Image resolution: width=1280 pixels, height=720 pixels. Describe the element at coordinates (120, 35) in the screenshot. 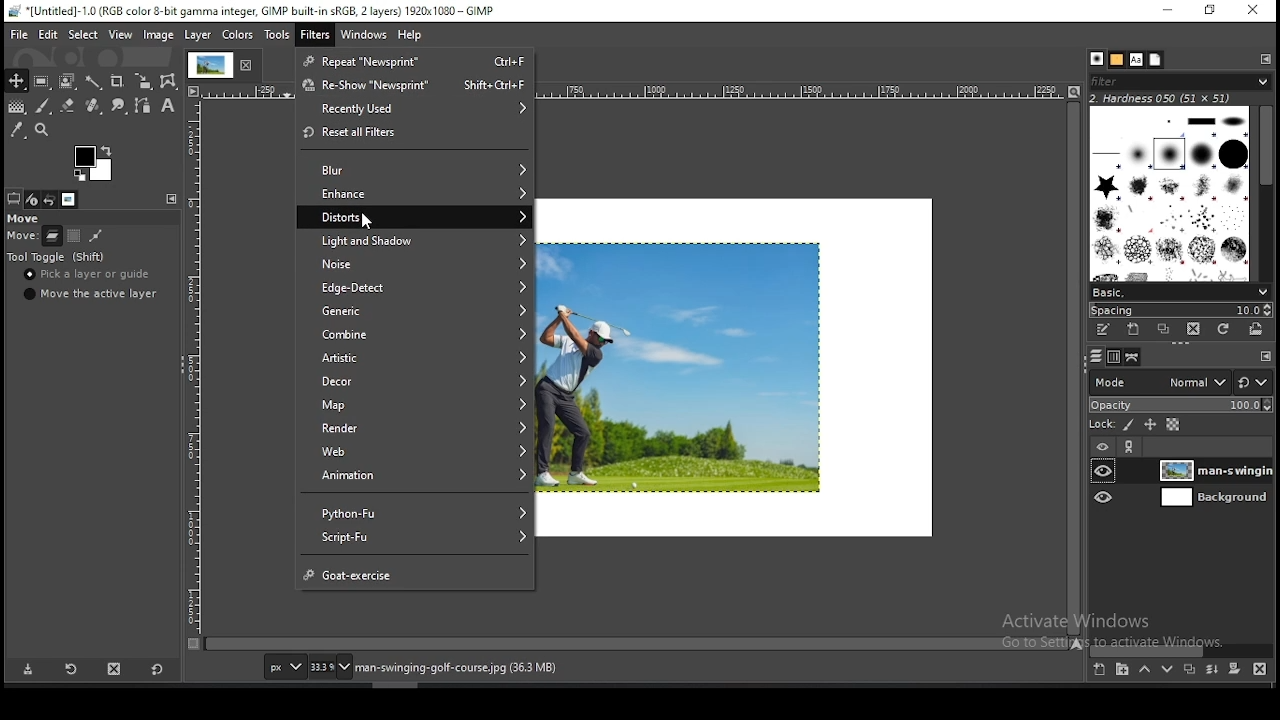

I see `view` at that location.